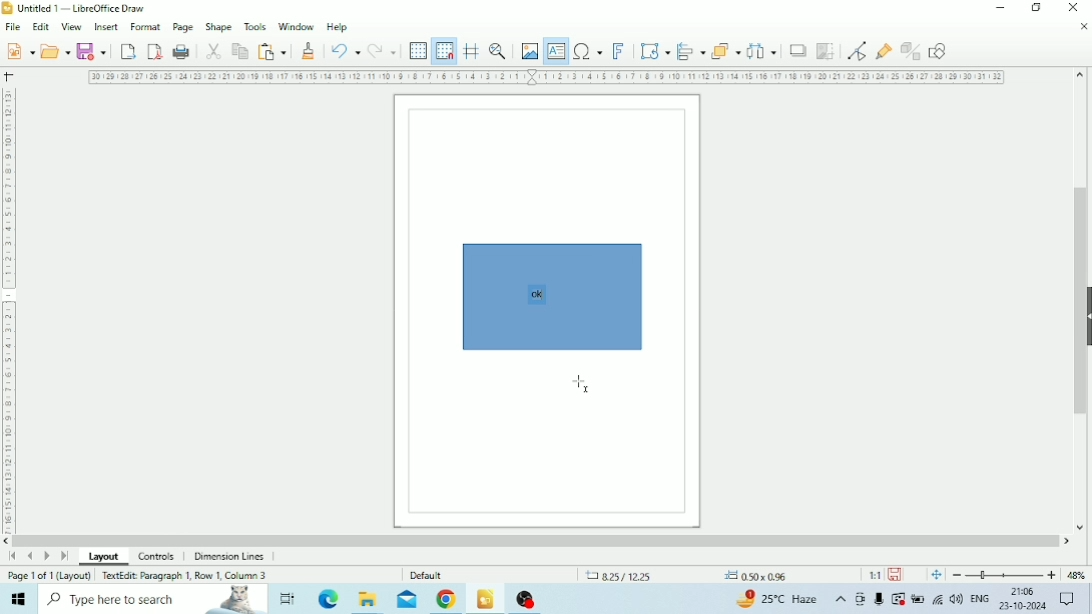  Describe the element at coordinates (255, 26) in the screenshot. I see `Tools` at that location.